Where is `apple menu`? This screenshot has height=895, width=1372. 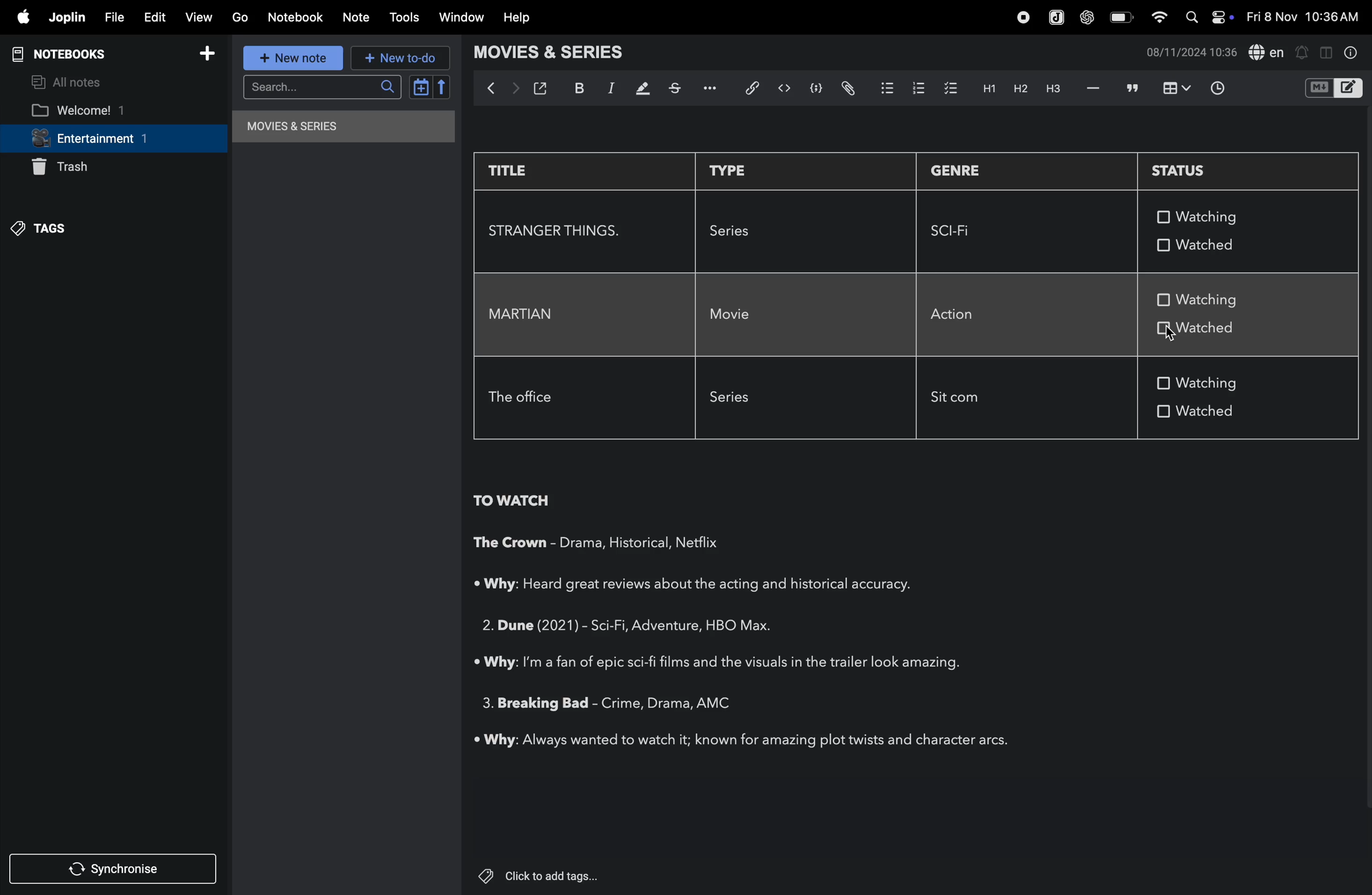 apple menu is located at coordinates (21, 17).